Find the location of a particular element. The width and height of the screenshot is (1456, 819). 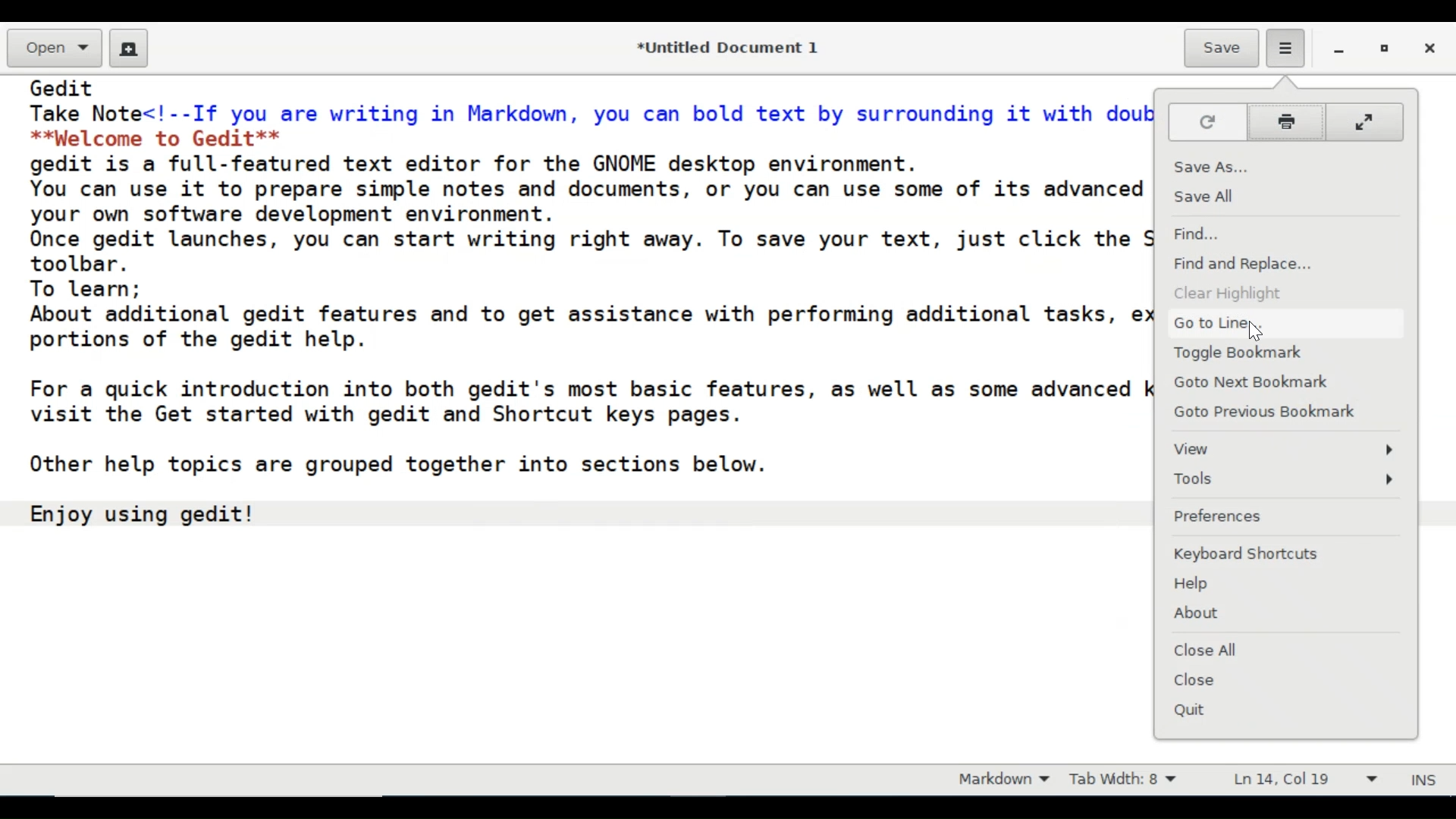

Enjoy using gedit! is located at coordinates (143, 513).